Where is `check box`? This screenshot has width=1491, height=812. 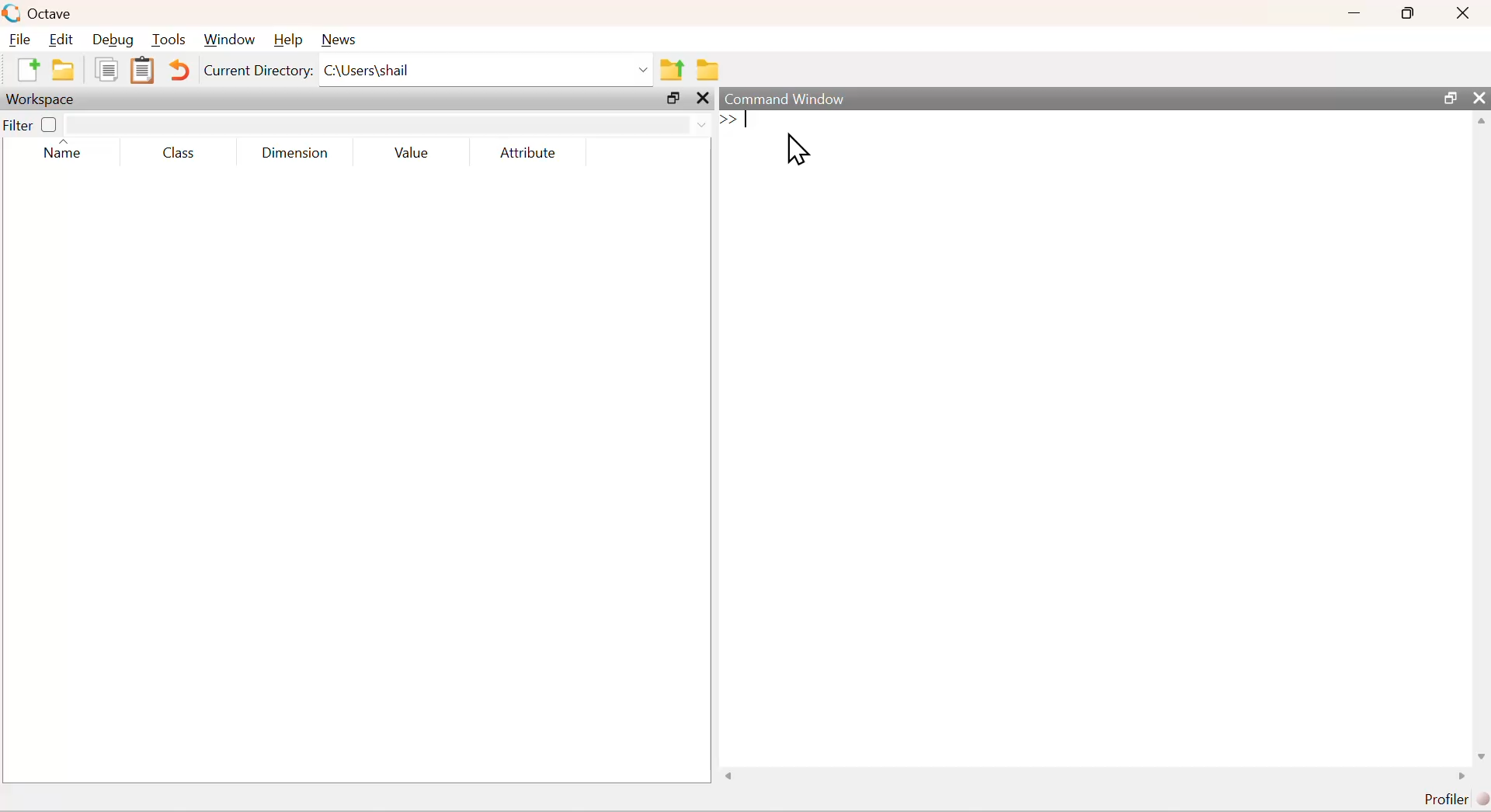 check box is located at coordinates (50, 124).